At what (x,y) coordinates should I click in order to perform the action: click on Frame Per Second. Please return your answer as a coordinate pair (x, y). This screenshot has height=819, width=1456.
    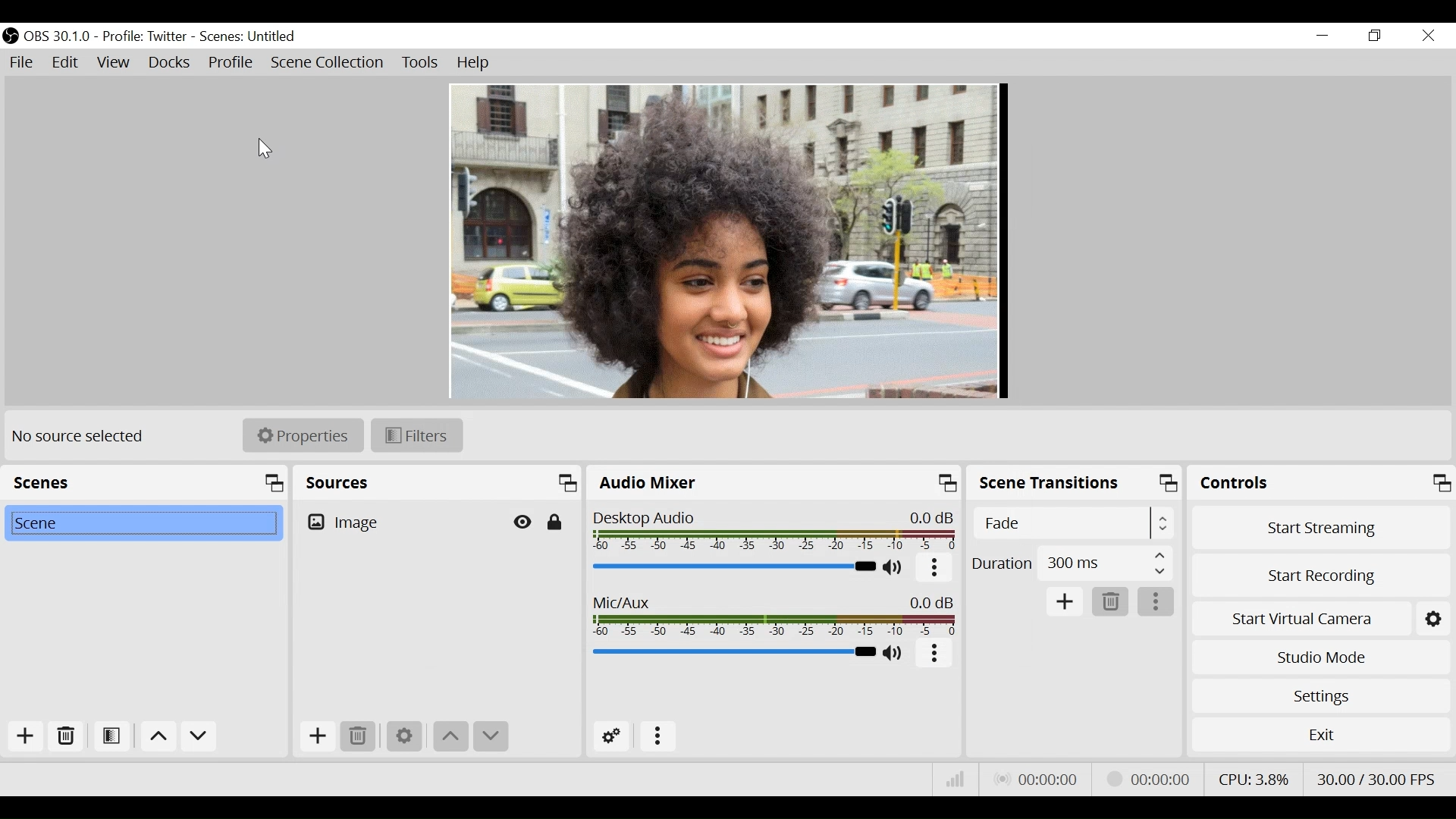
    Looking at the image, I should click on (1376, 777).